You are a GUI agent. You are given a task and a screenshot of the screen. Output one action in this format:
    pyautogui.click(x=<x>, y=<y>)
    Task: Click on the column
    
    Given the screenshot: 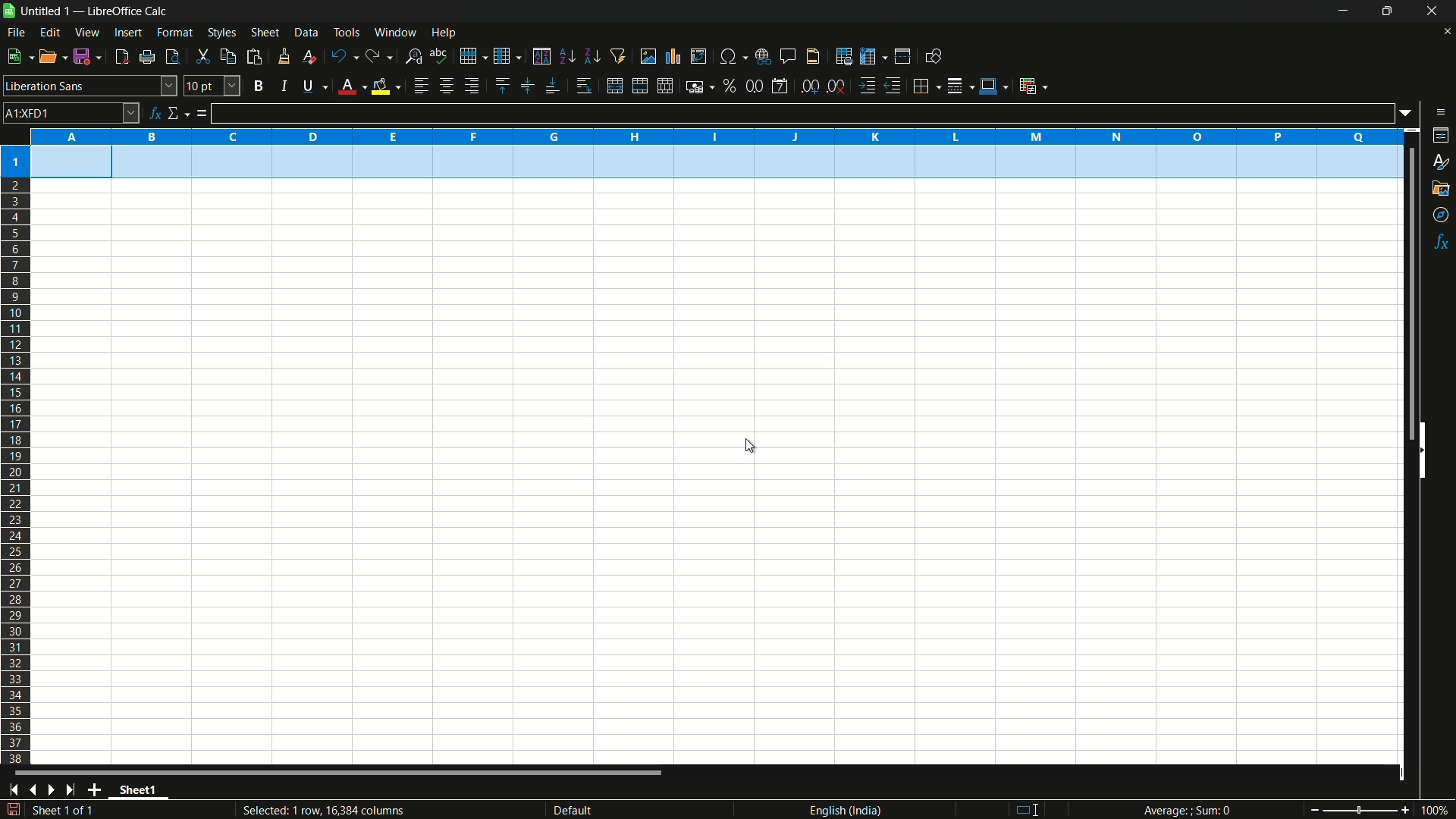 What is the action you would take?
    pyautogui.click(x=508, y=57)
    